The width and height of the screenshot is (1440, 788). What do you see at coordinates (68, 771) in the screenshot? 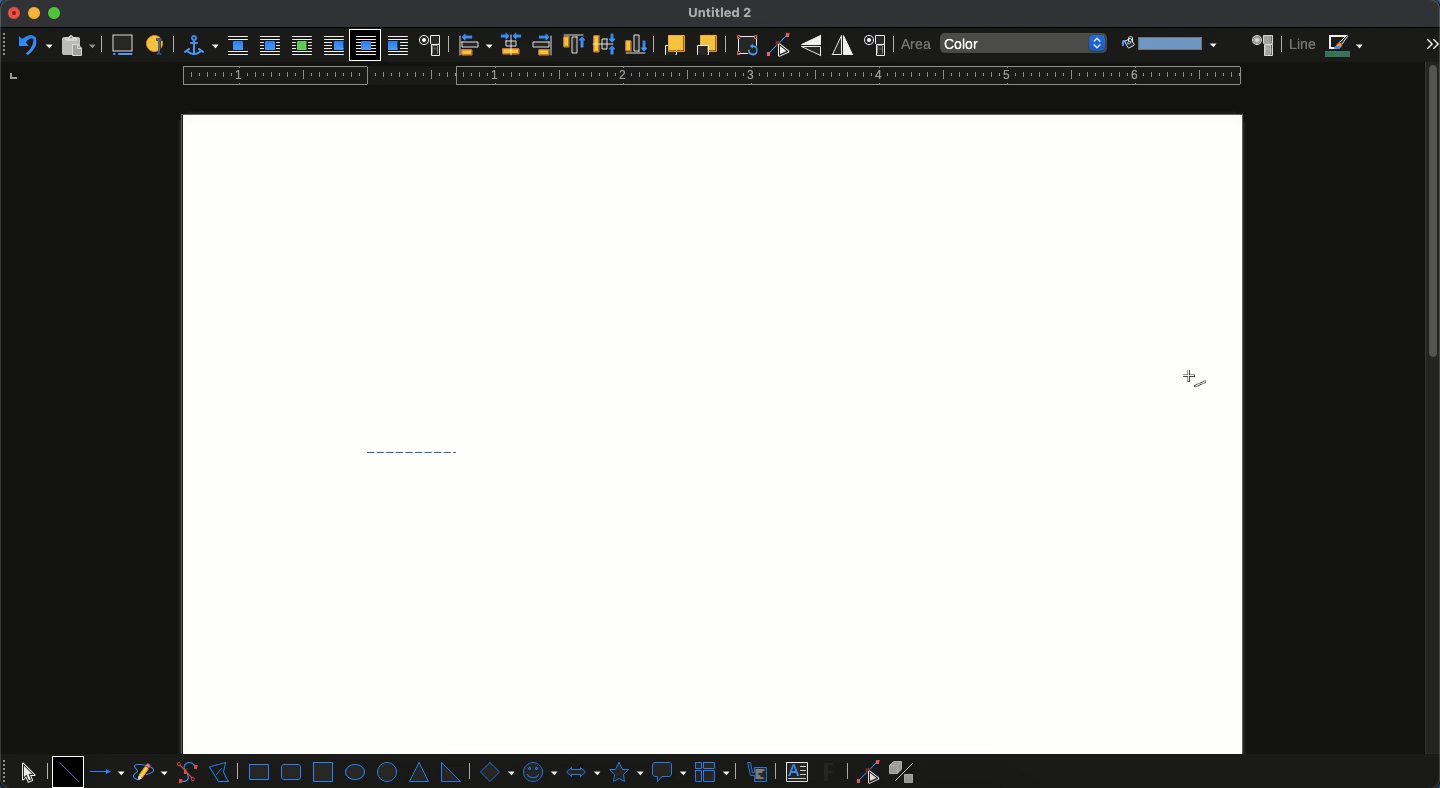
I see `line` at bounding box center [68, 771].